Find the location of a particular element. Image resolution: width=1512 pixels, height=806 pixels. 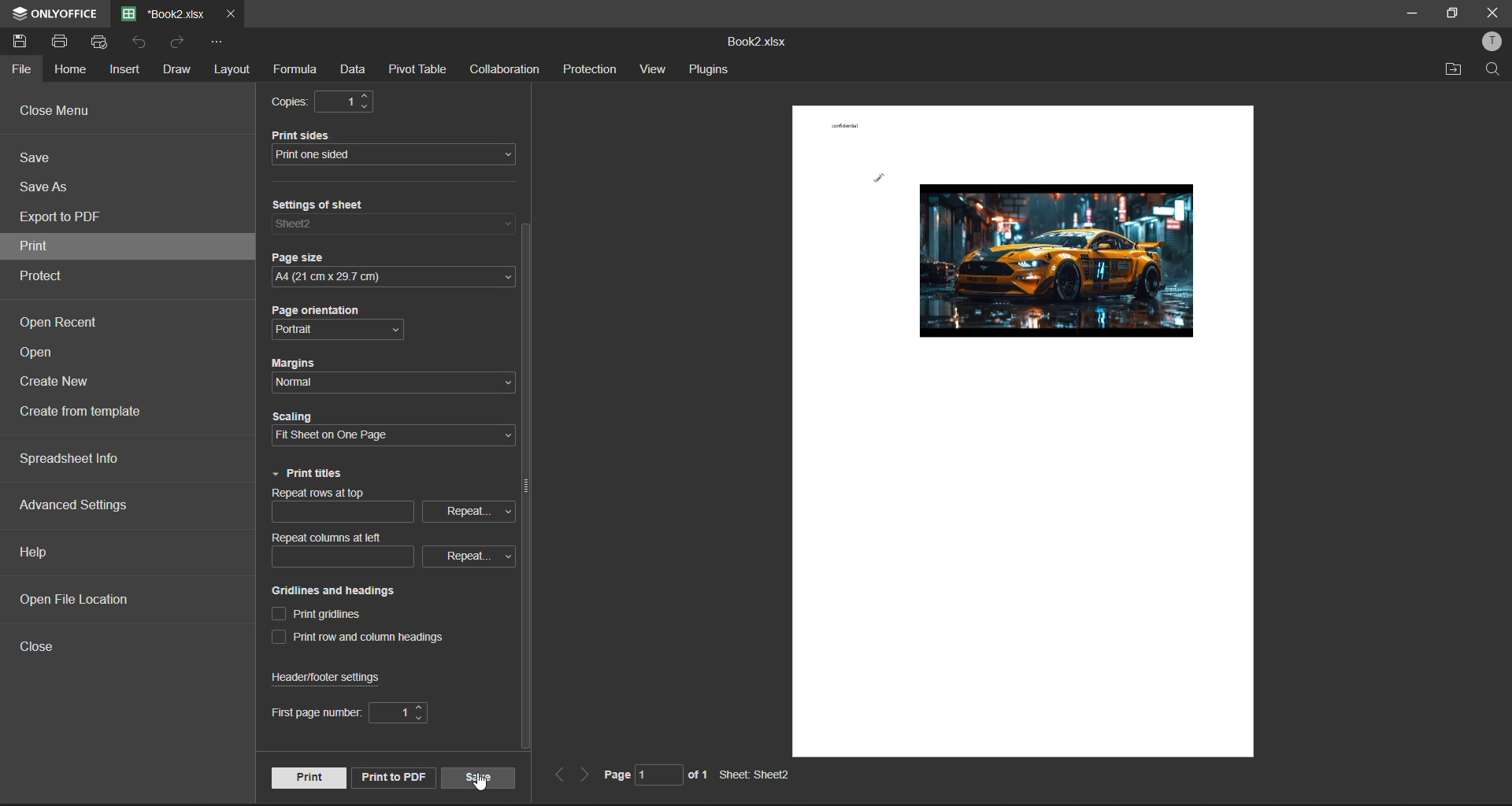

picture is located at coordinates (1053, 257).